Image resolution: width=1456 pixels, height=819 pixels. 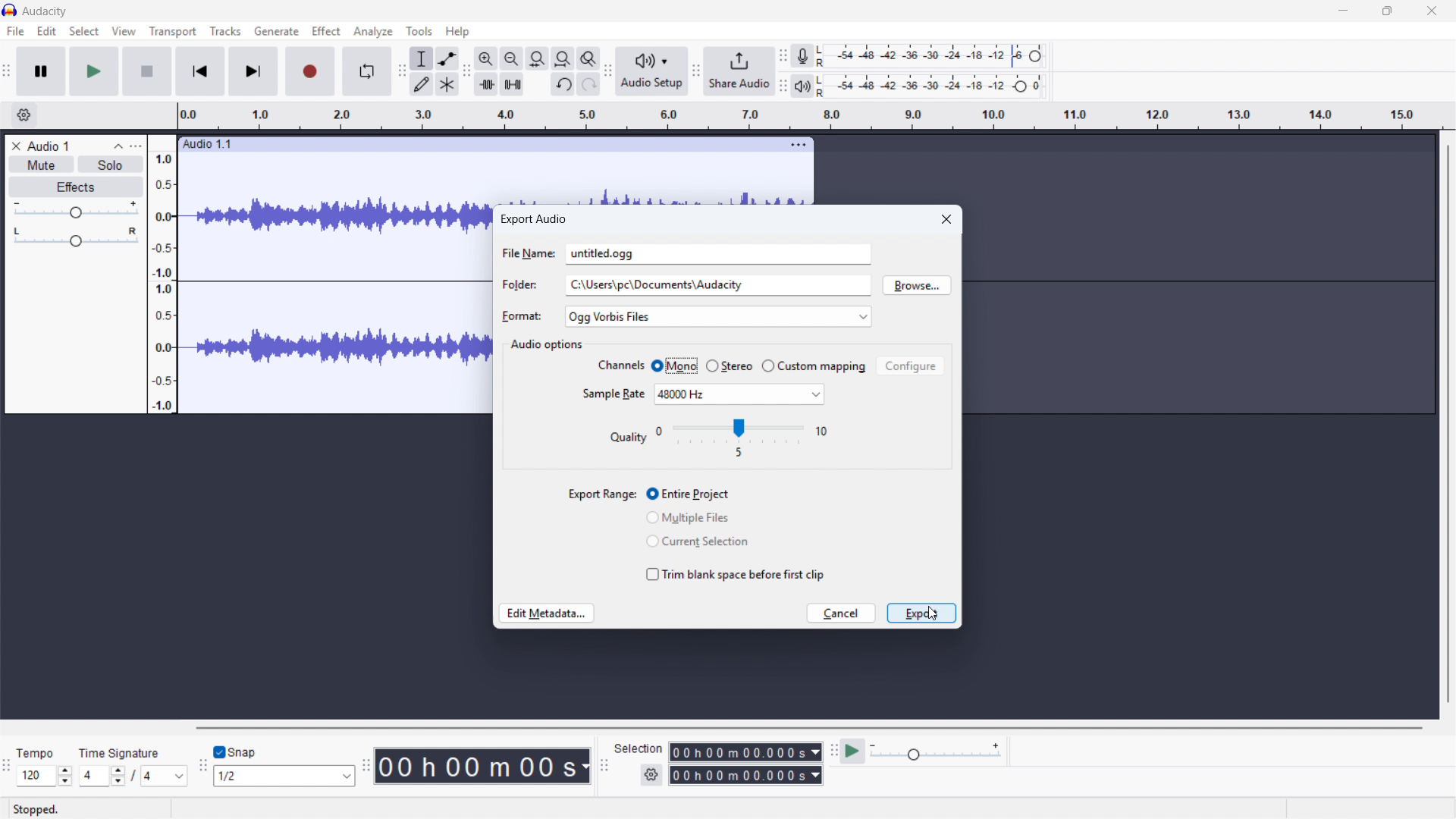 I want to click on Export format , so click(x=719, y=317).